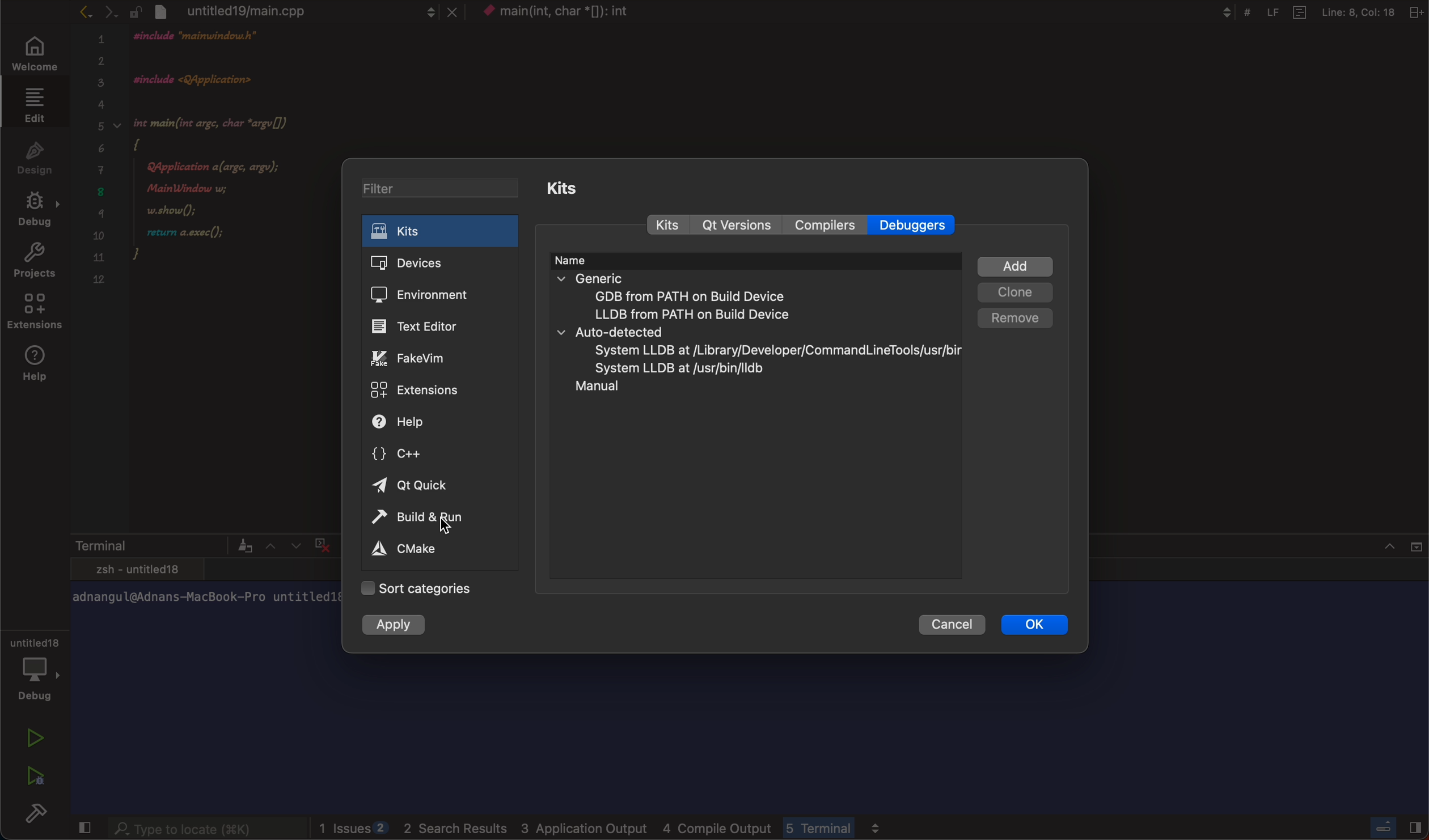 This screenshot has width=1429, height=840. Describe the element at coordinates (437, 588) in the screenshot. I see `categories` at that location.